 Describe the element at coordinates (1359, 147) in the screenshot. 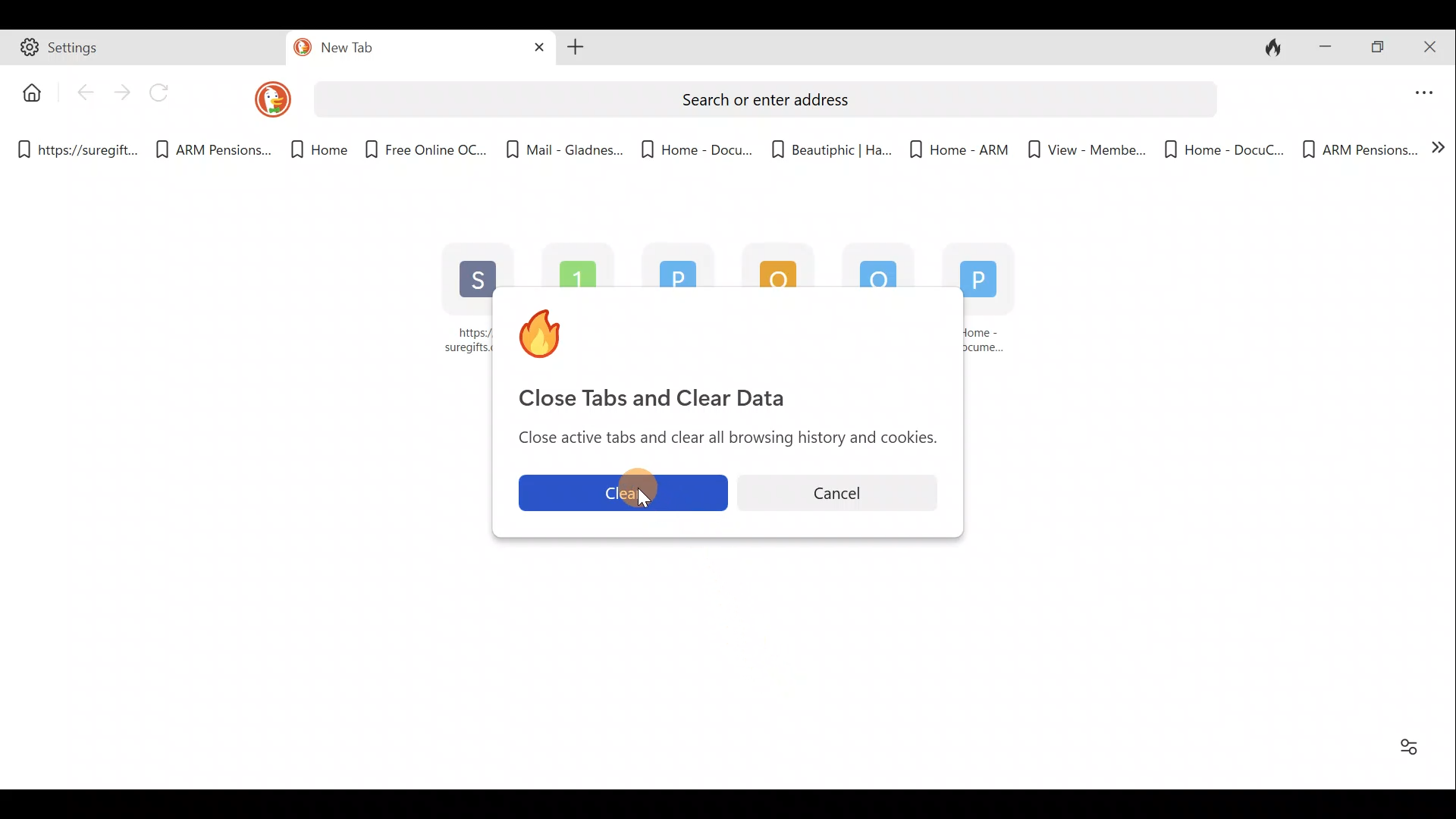

I see `ARM Pensions...` at that location.